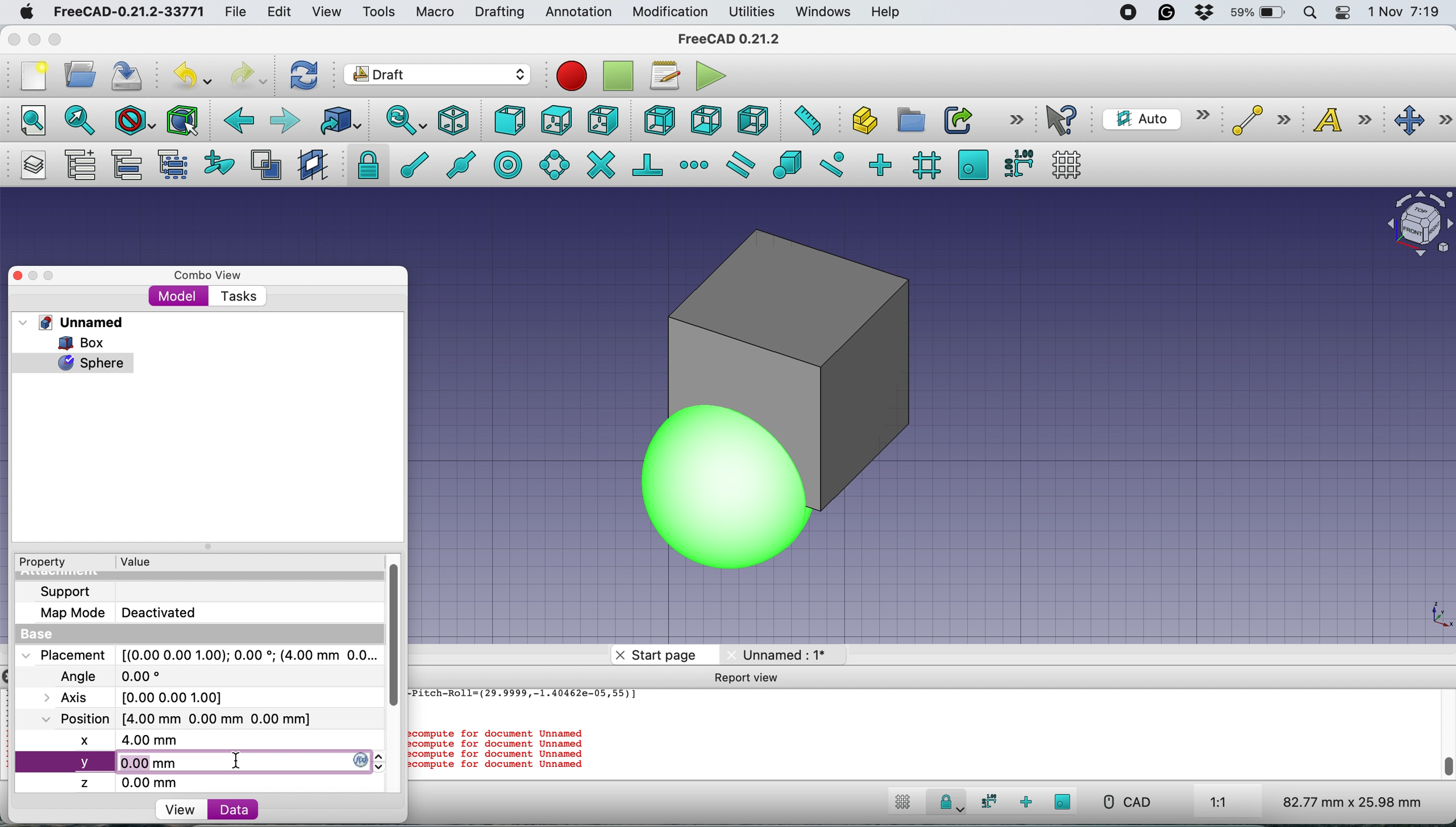 The image size is (1456, 827). What do you see at coordinates (378, 13) in the screenshot?
I see `tools` at bounding box center [378, 13].